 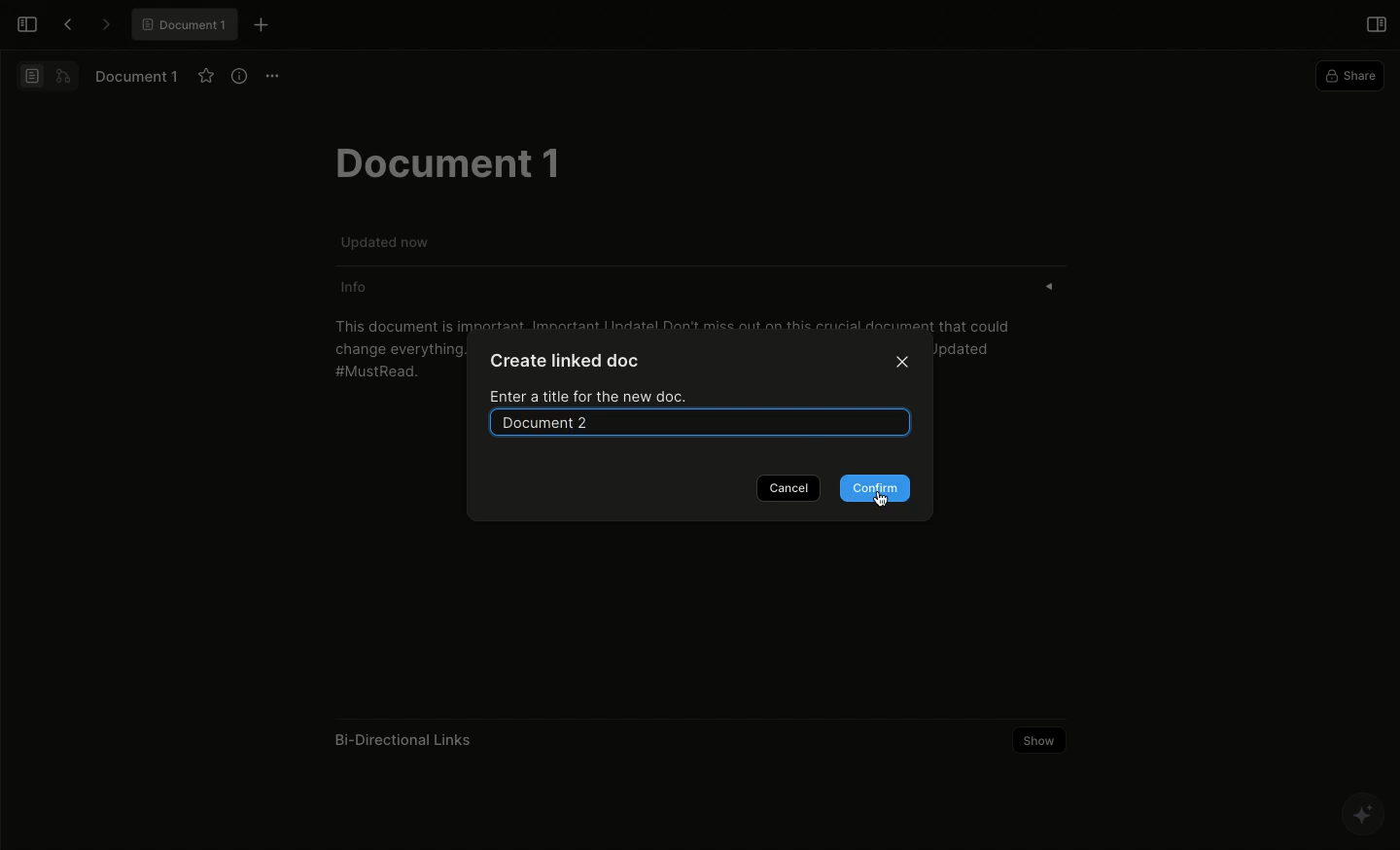 I want to click on ® Document 1, so click(x=184, y=24).